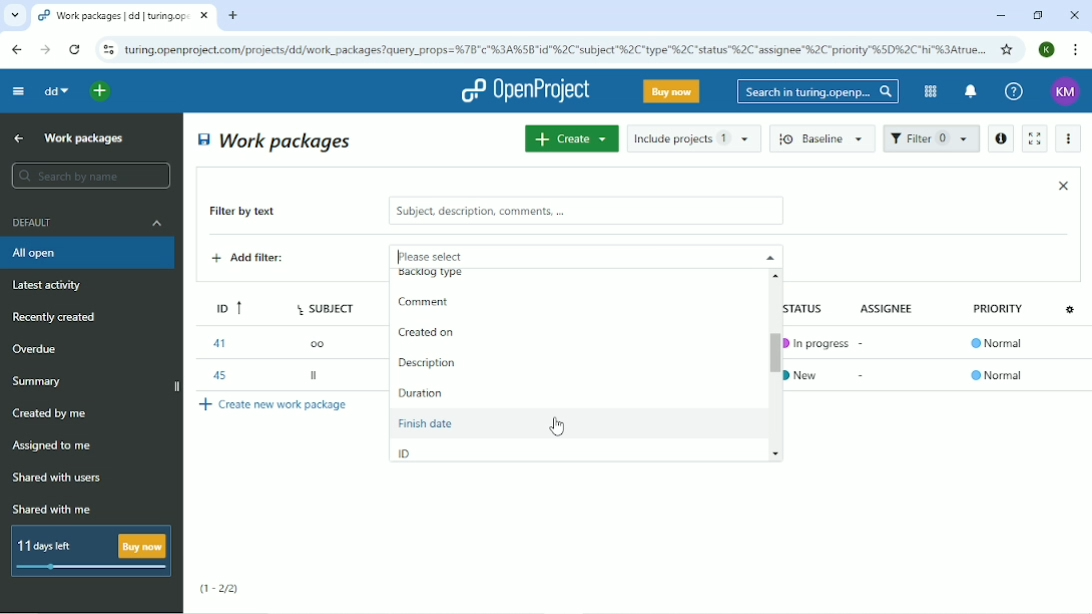 This screenshot has height=614, width=1092. What do you see at coordinates (814, 307) in the screenshot?
I see `Status` at bounding box center [814, 307].